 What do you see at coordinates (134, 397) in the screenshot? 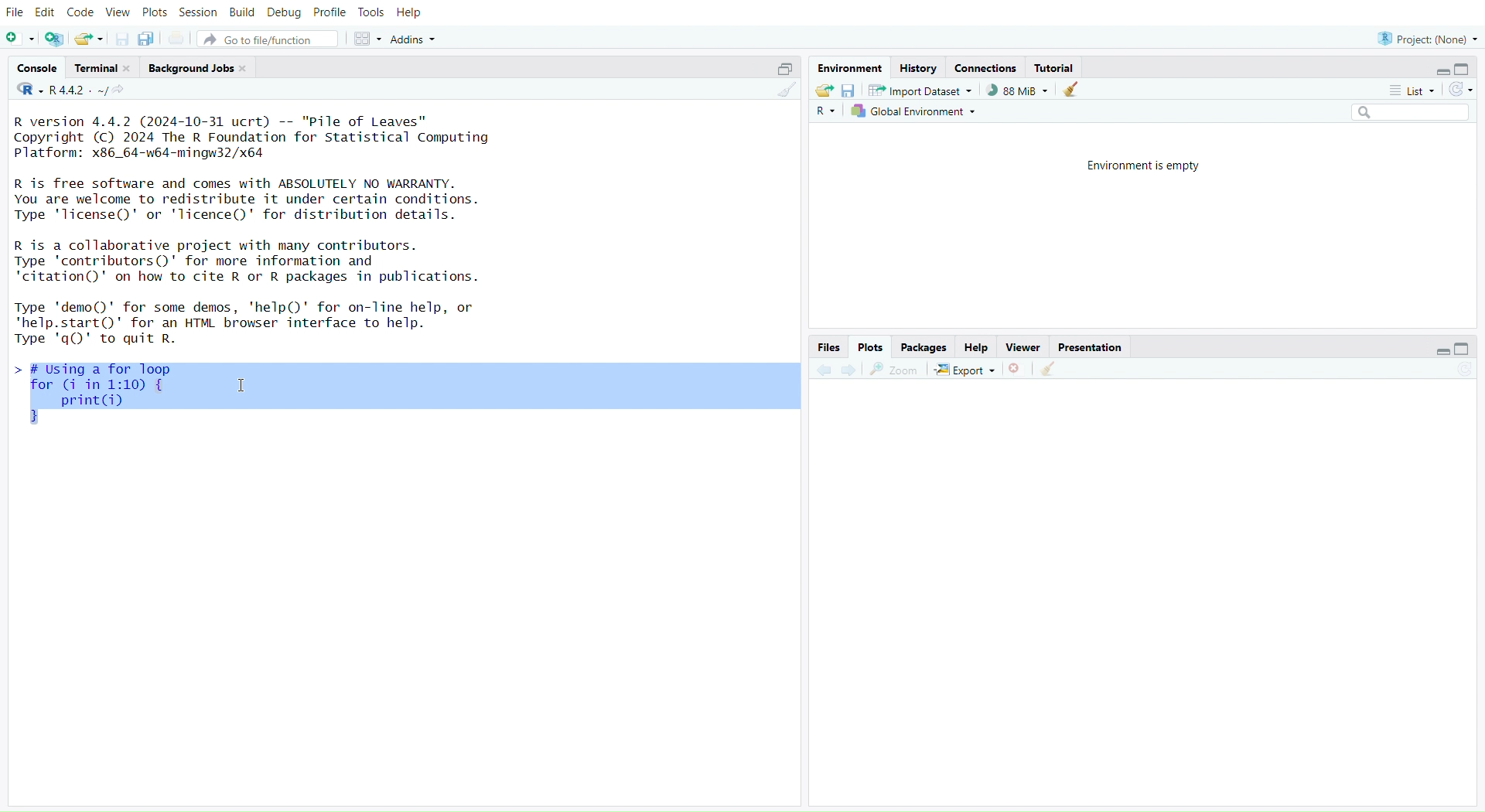
I see `> # Using a for loop for (i in 1:10) { print(i)}` at bounding box center [134, 397].